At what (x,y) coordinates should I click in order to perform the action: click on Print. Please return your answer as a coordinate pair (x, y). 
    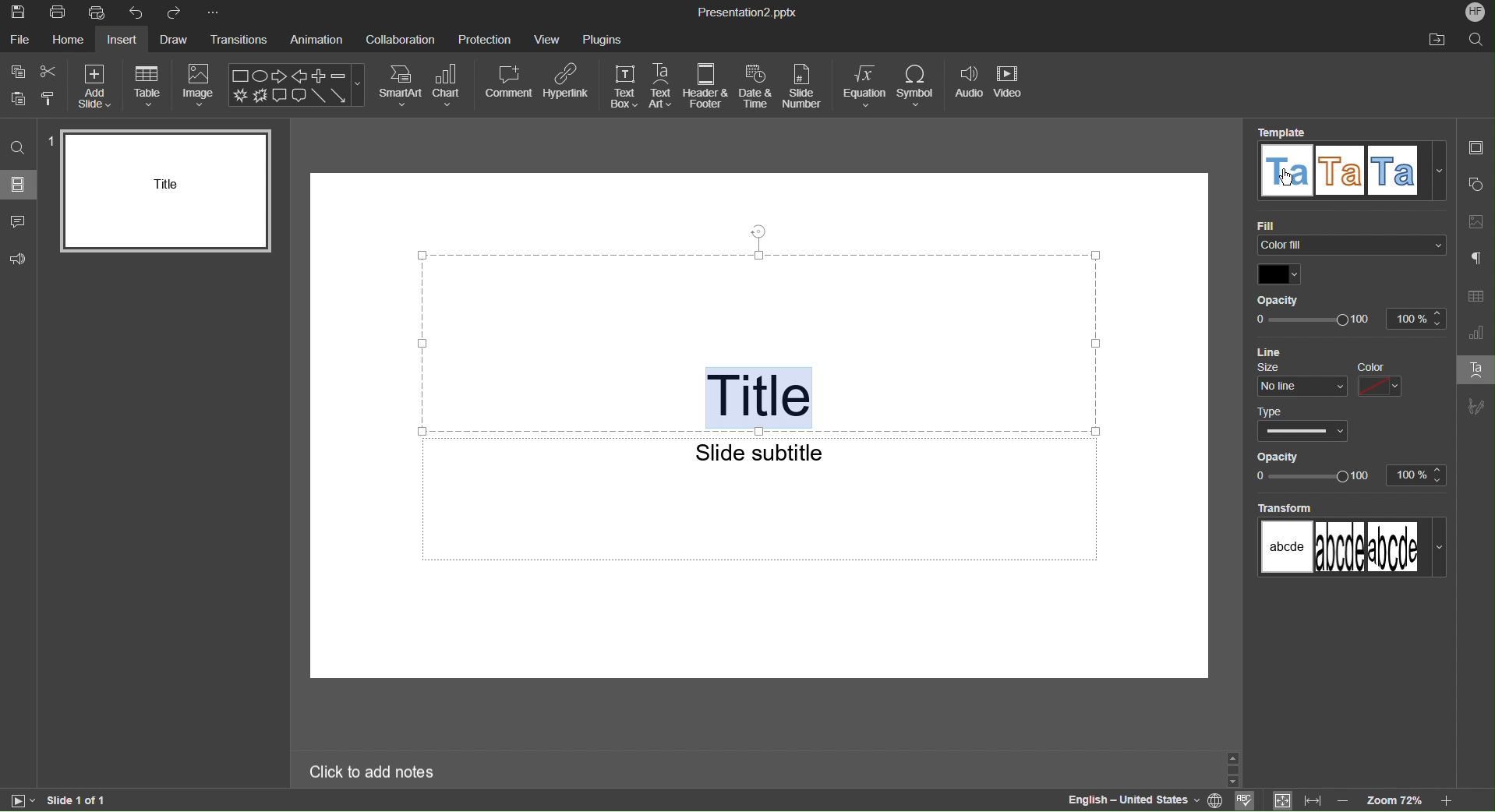
    Looking at the image, I should click on (61, 12).